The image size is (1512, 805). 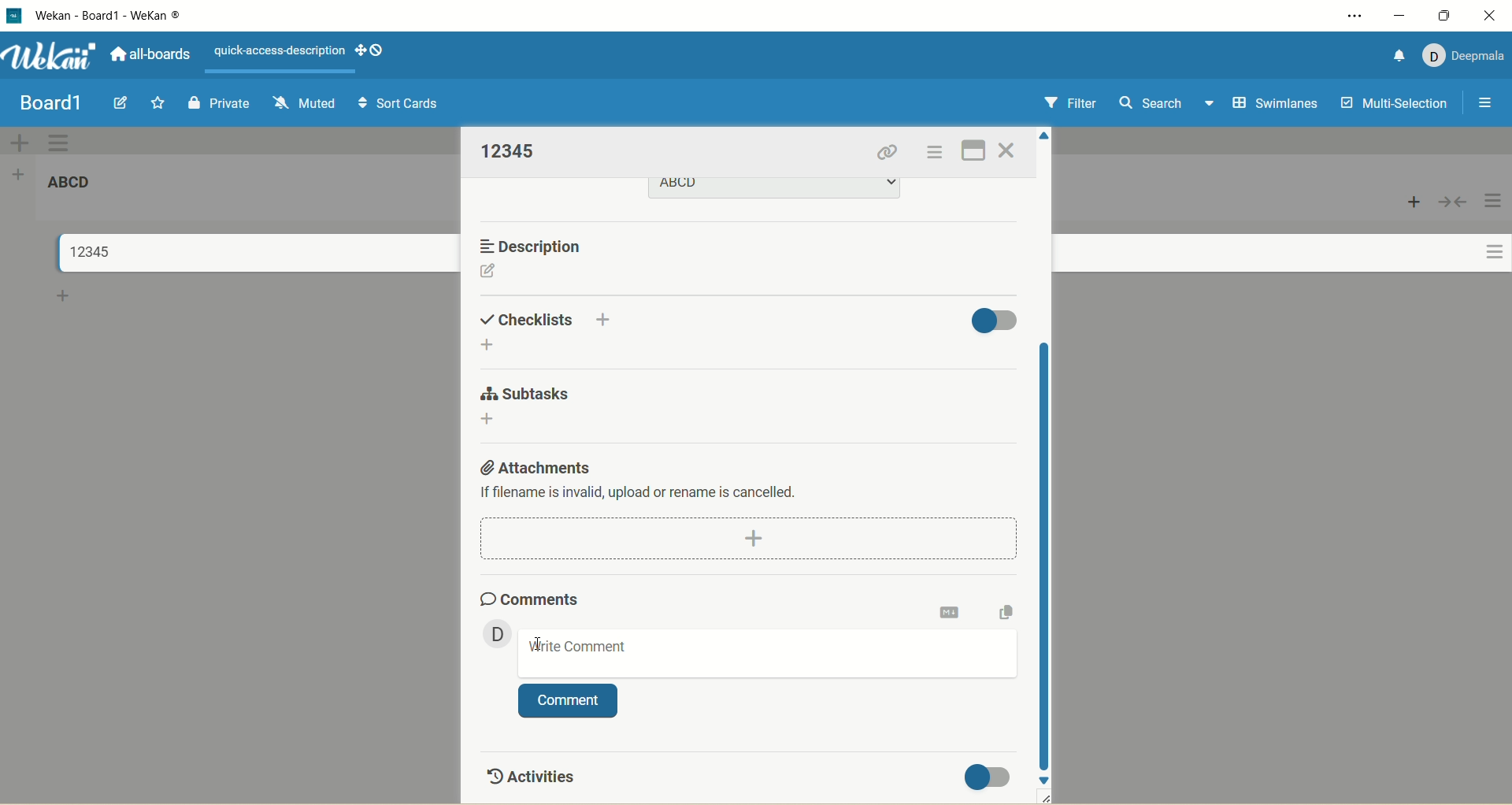 I want to click on logo, so click(x=13, y=17).